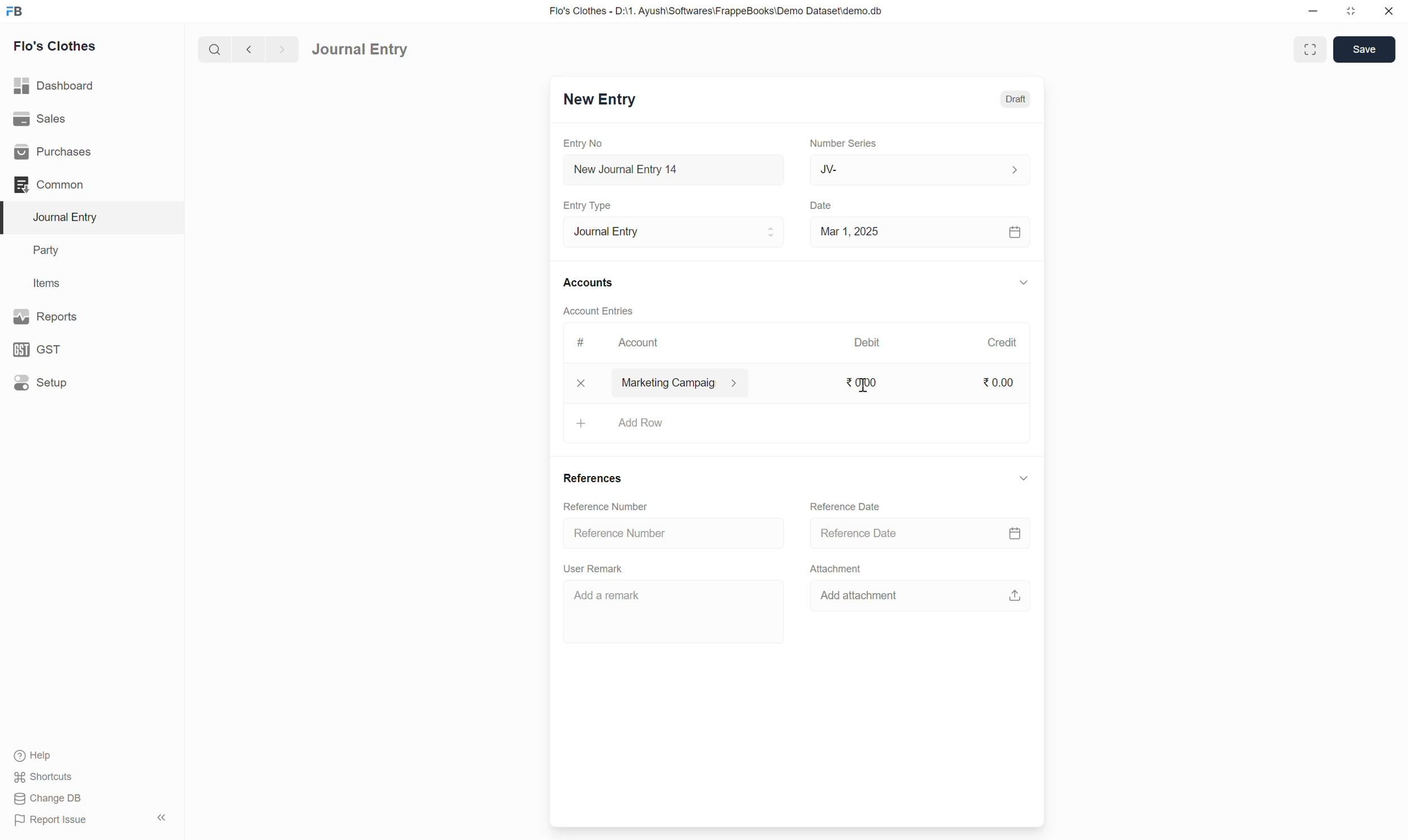 Image resolution: width=1408 pixels, height=840 pixels. What do you see at coordinates (50, 185) in the screenshot?
I see `Common` at bounding box center [50, 185].